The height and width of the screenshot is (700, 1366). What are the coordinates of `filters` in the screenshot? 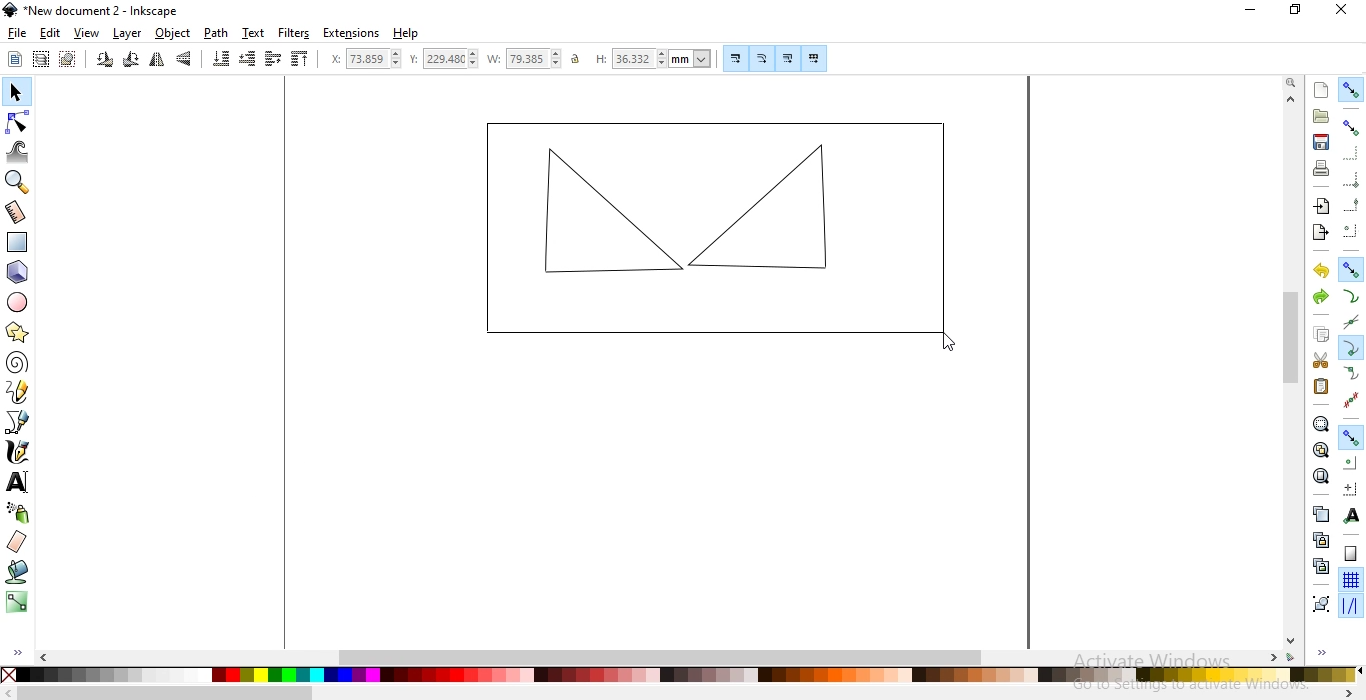 It's located at (295, 34).